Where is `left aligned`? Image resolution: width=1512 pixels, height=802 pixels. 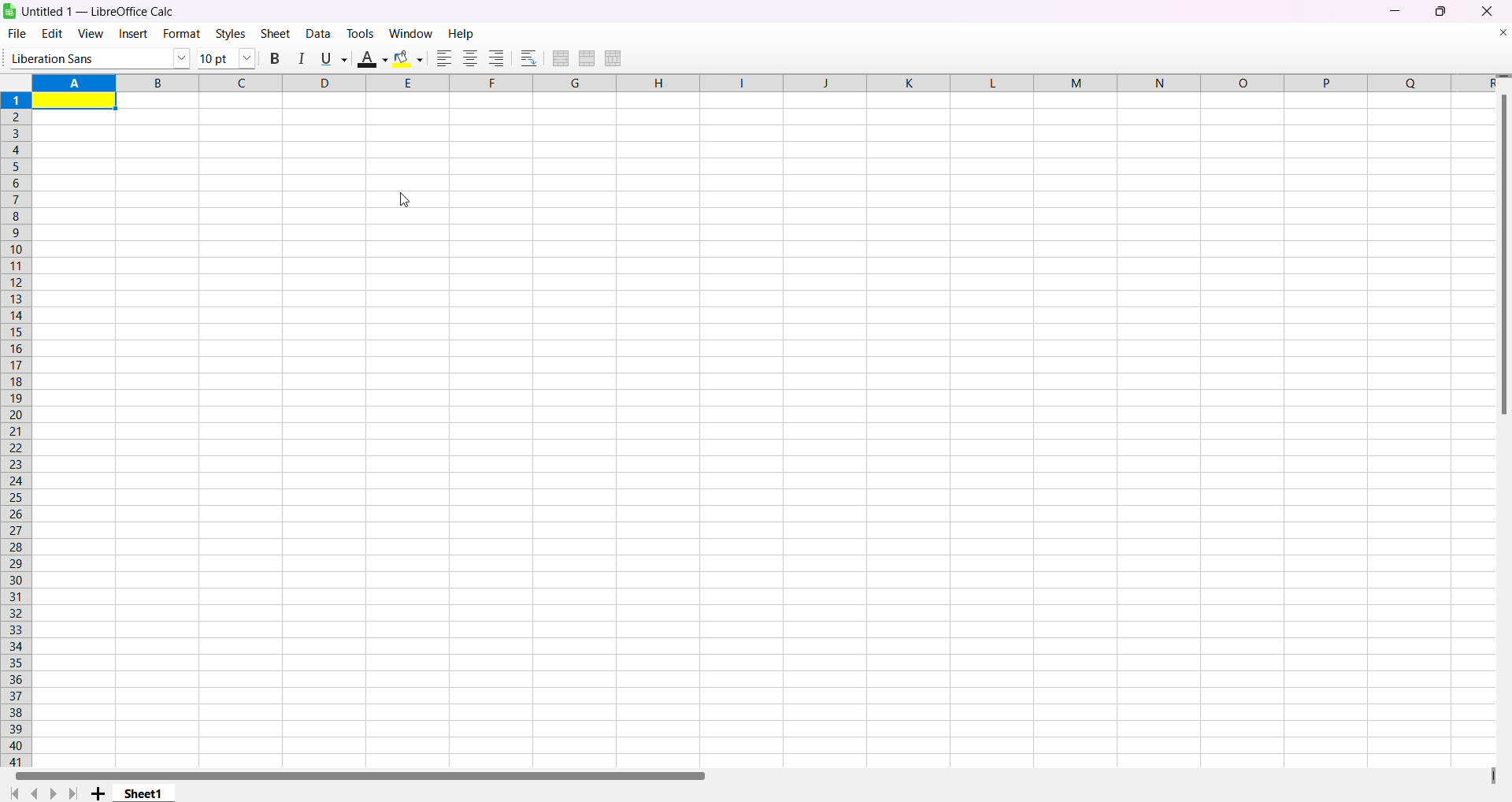 left aligned is located at coordinates (442, 60).